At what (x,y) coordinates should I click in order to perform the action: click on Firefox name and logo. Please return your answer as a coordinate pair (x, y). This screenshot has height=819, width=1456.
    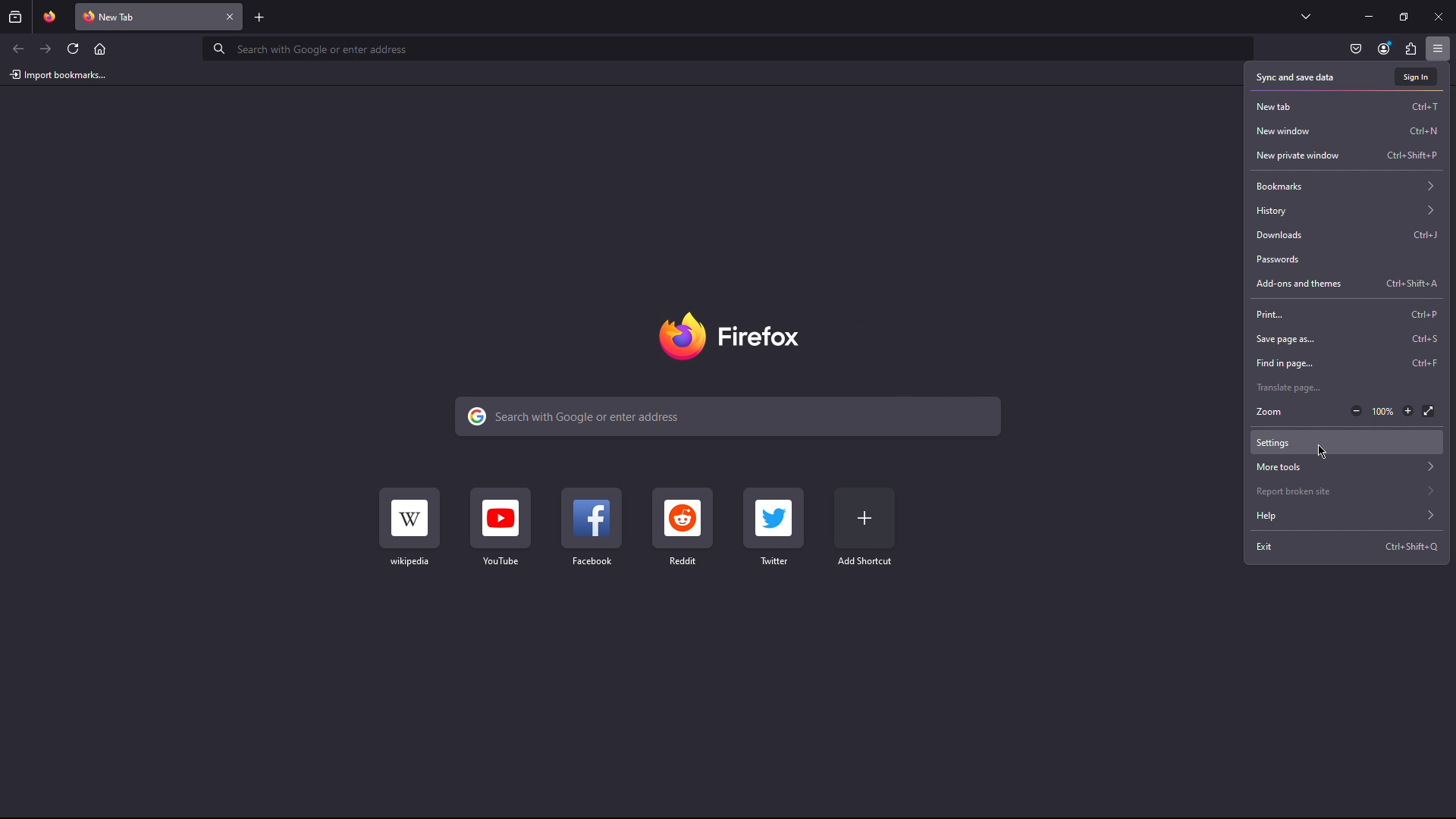
    Looking at the image, I should click on (729, 336).